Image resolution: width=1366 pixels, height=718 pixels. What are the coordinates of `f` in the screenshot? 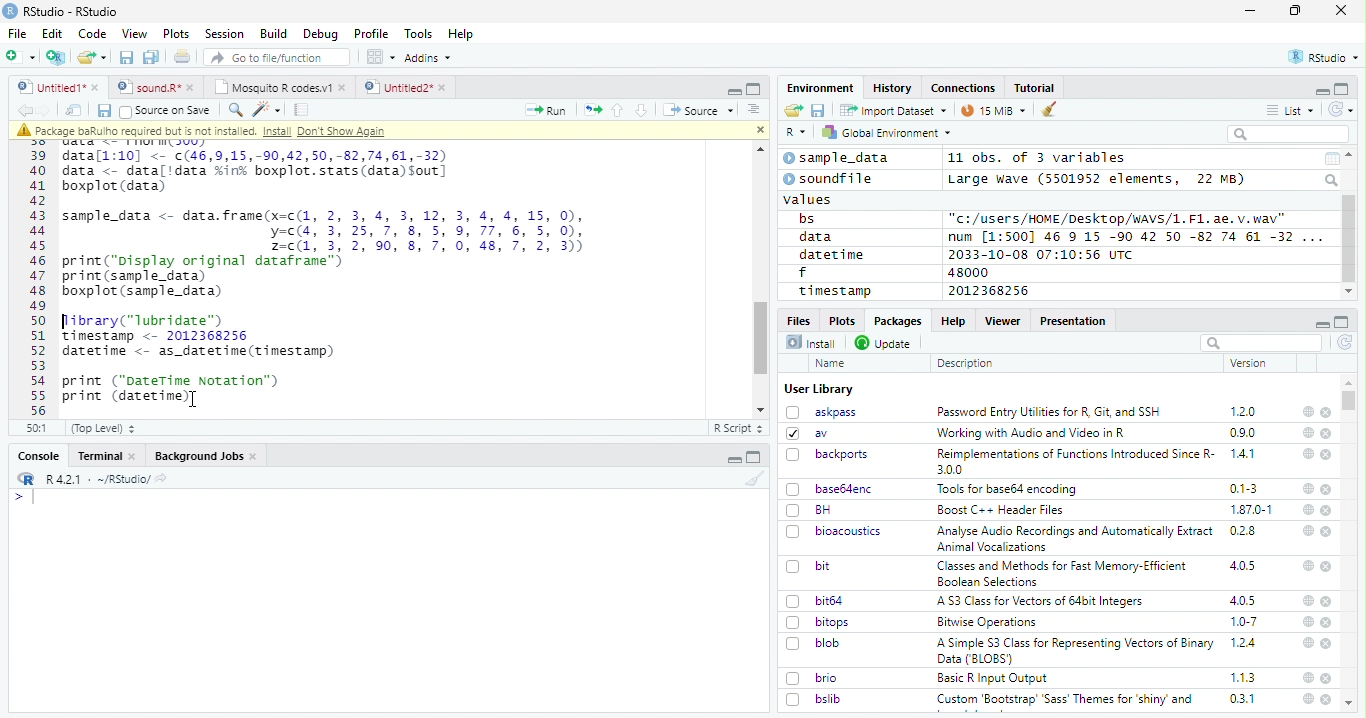 It's located at (803, 273).